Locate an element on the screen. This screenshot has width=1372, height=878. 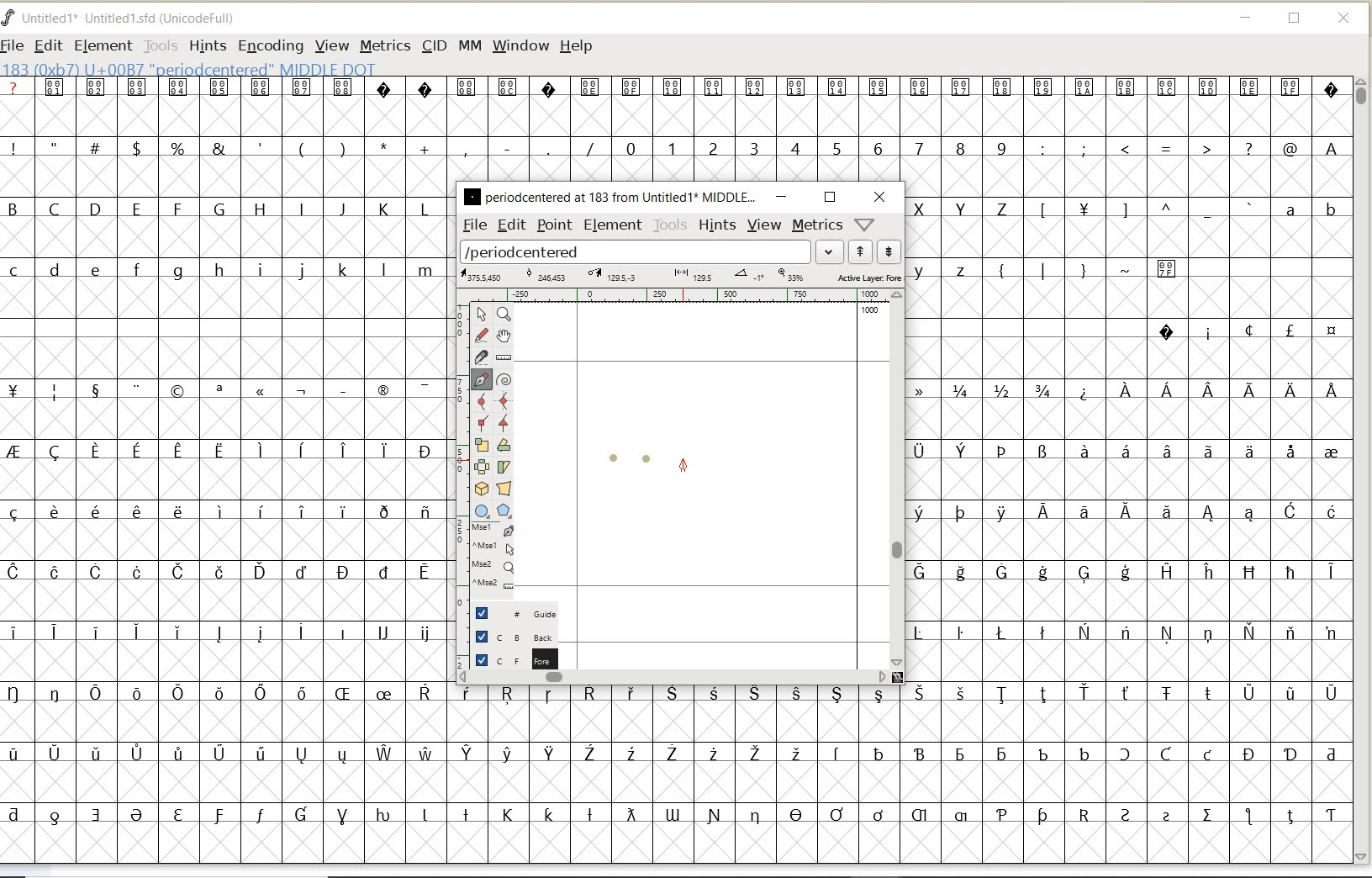
measure a distance, angle between points is located at coordinates (504, 357).